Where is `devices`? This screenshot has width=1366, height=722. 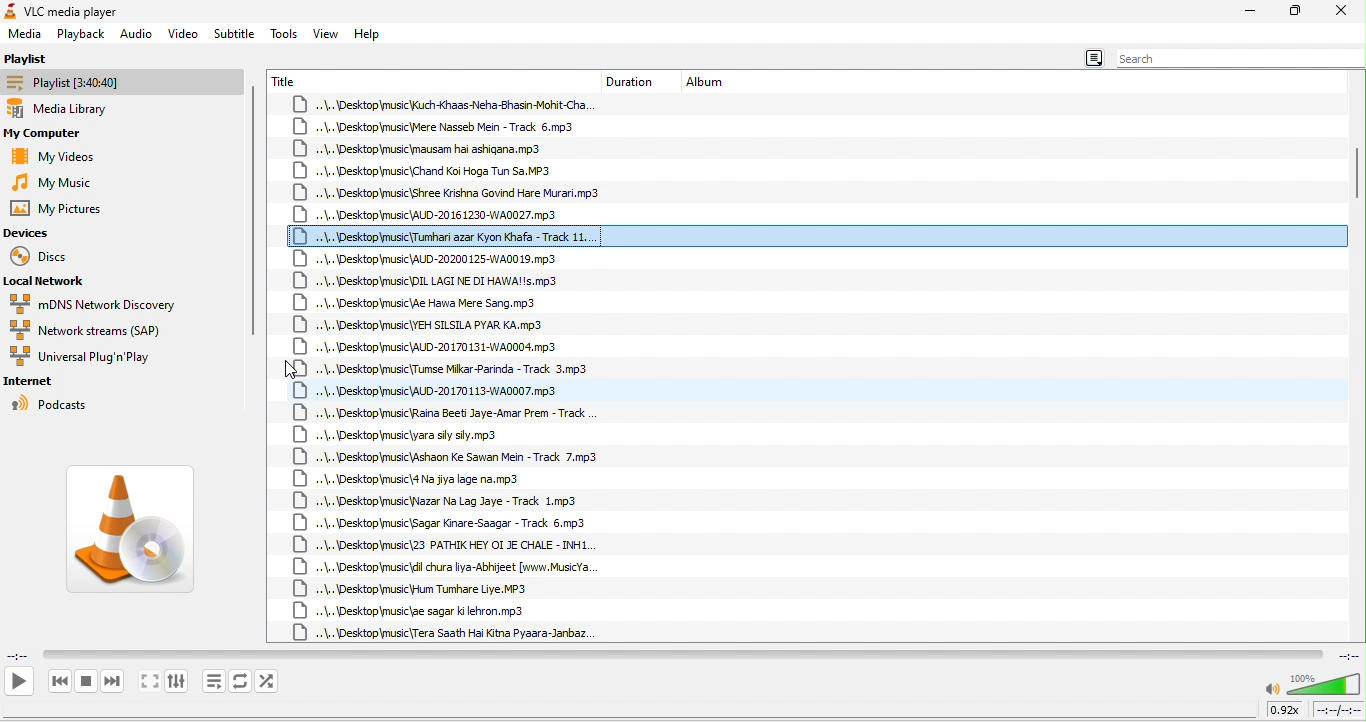 devices is located at coordinates (35, 234).